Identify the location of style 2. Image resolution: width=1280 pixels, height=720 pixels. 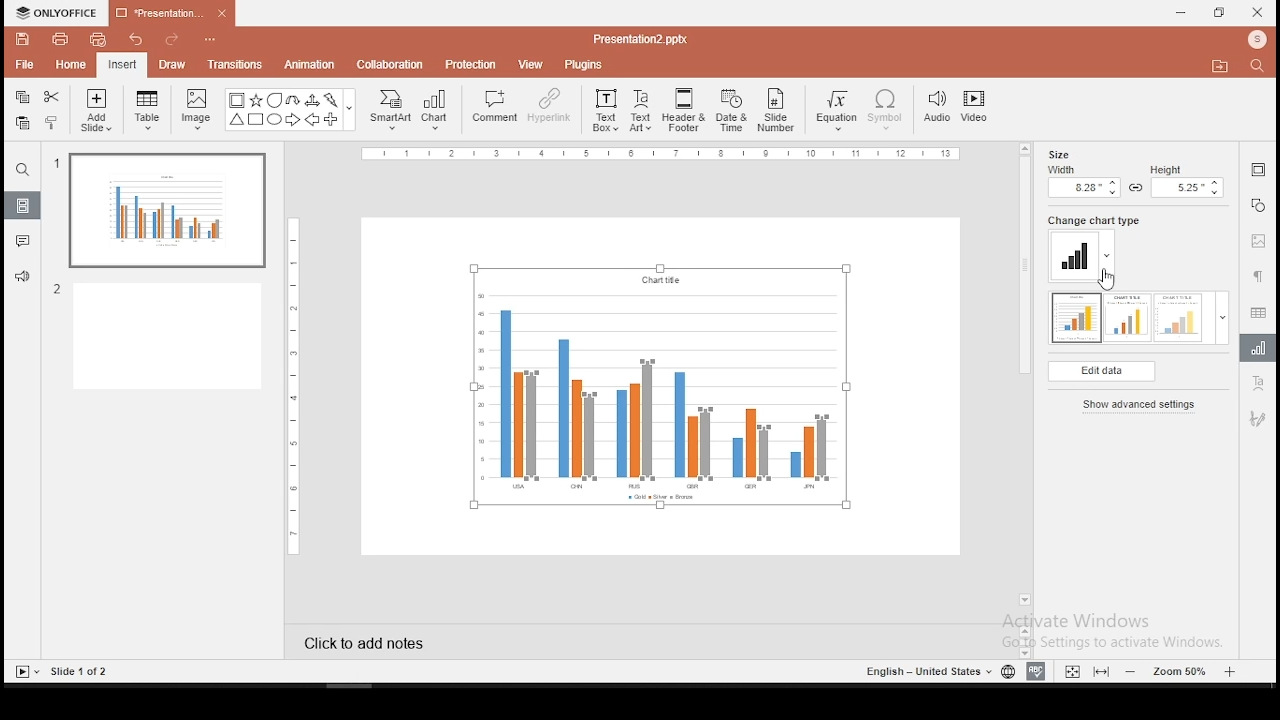
(1128, 317).